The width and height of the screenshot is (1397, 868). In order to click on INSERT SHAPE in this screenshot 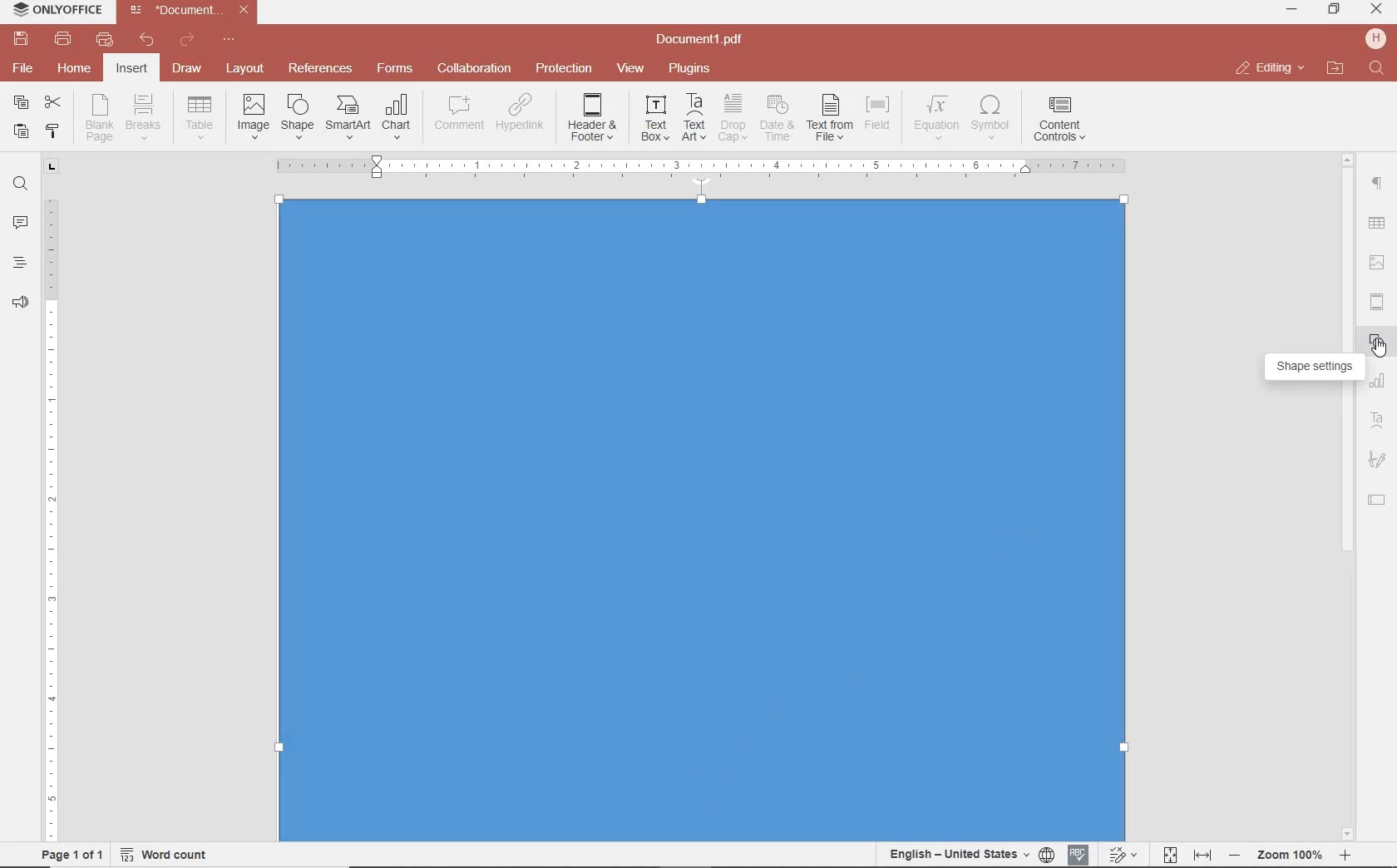, I will do `click(296, 116)`.